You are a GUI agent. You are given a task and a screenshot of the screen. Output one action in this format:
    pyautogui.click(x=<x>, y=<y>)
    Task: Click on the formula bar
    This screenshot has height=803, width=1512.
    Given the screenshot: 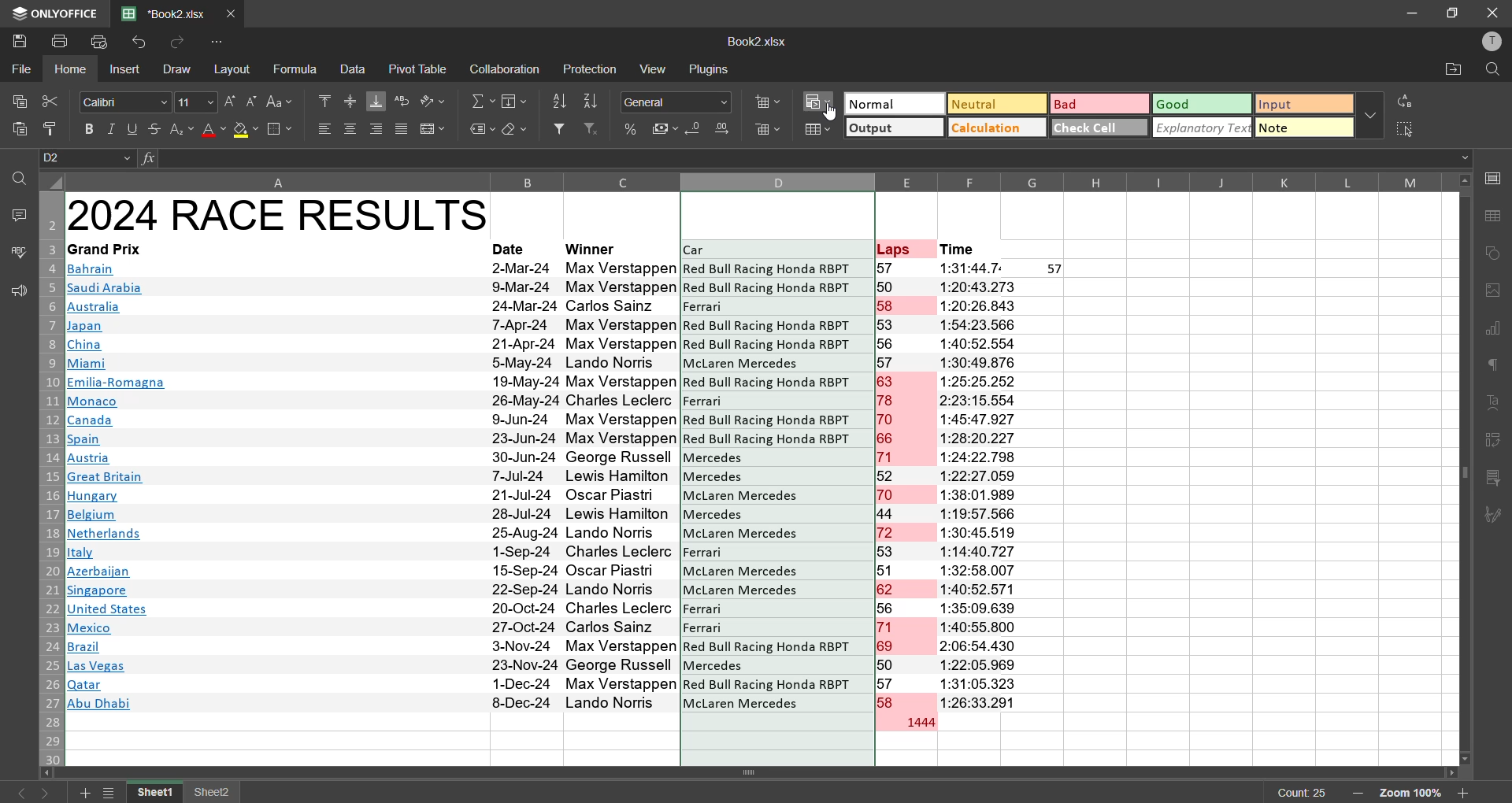 What is the action you would take?
    pyautogui.click(x=807, y=158)
    